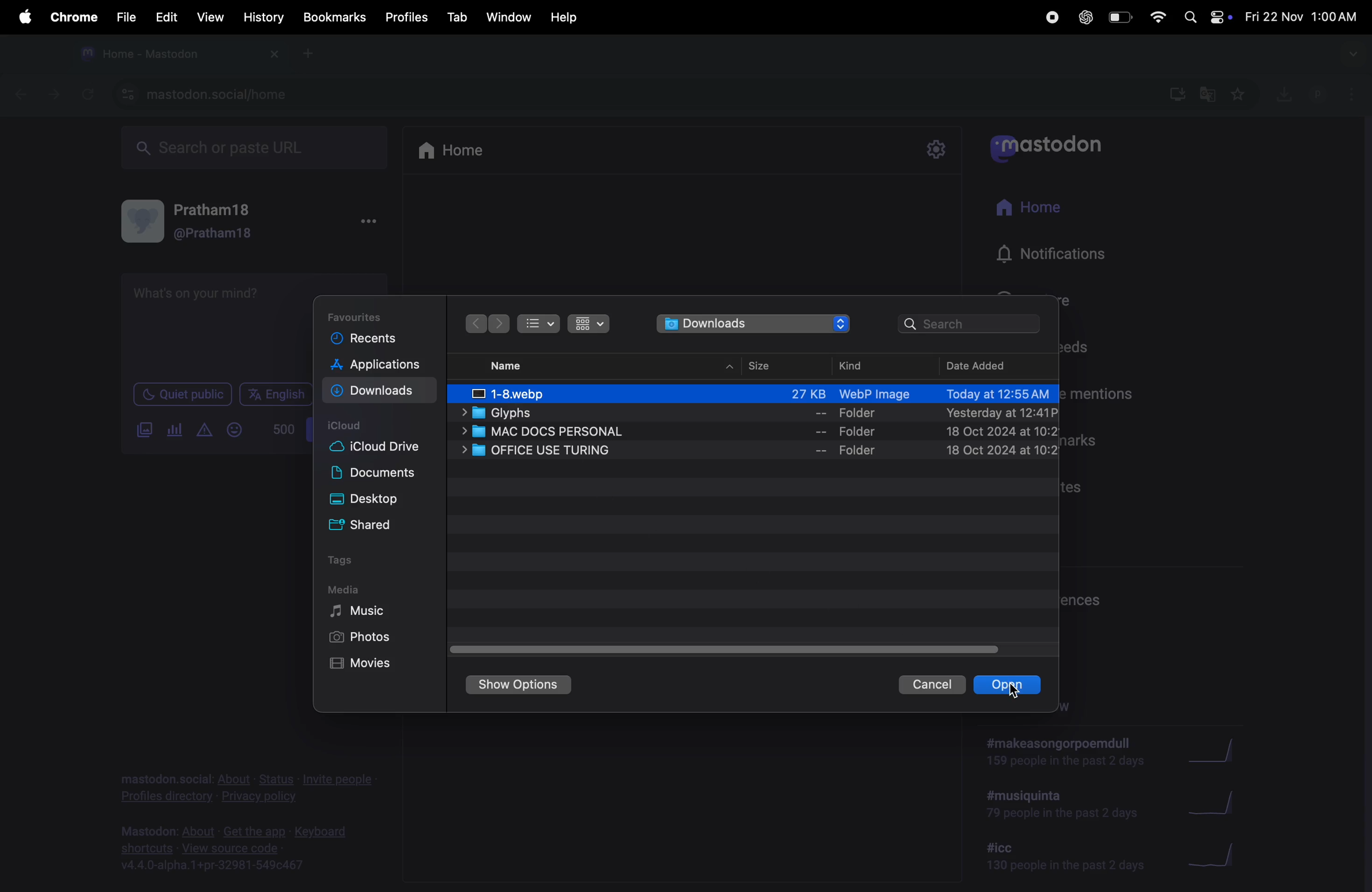  I want to click on date and time, so click(1301, 14).